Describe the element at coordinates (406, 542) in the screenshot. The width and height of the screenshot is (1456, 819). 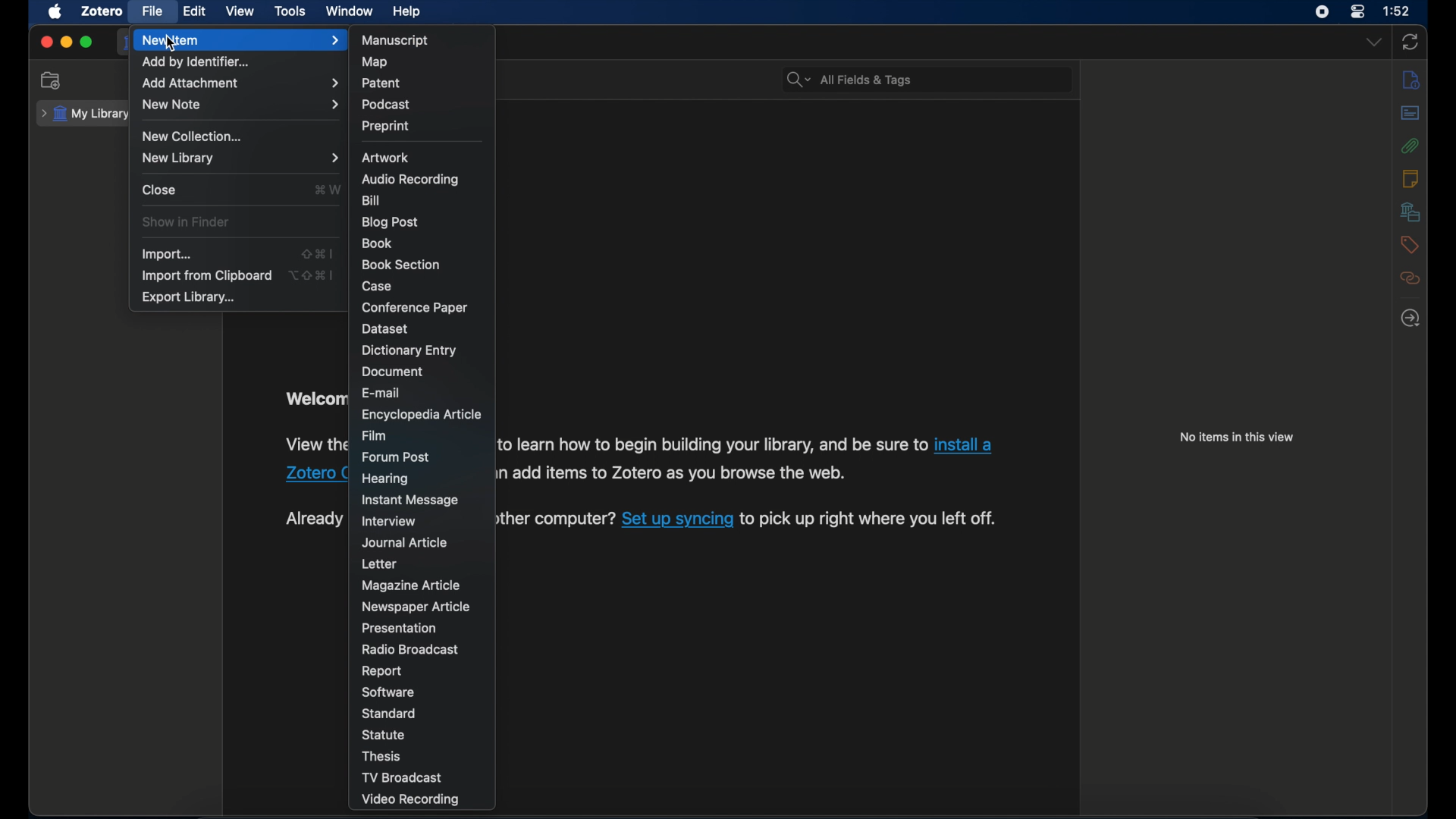
I see `journal article` at that location.